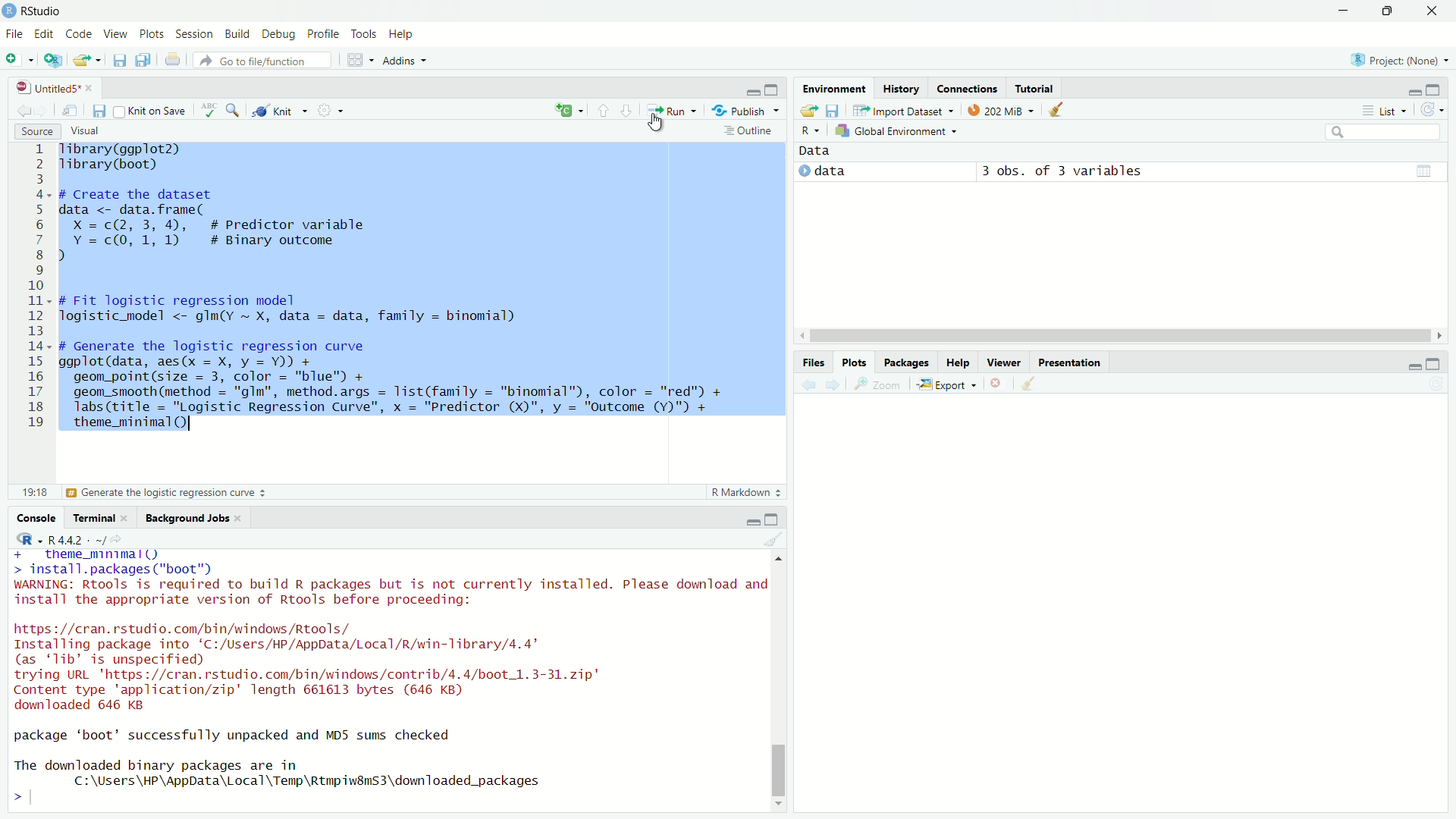 This screenshot has width=1456, height=819. Describe the element at coordinates (815, 151) in the screenshot. I see `Data` at that location.